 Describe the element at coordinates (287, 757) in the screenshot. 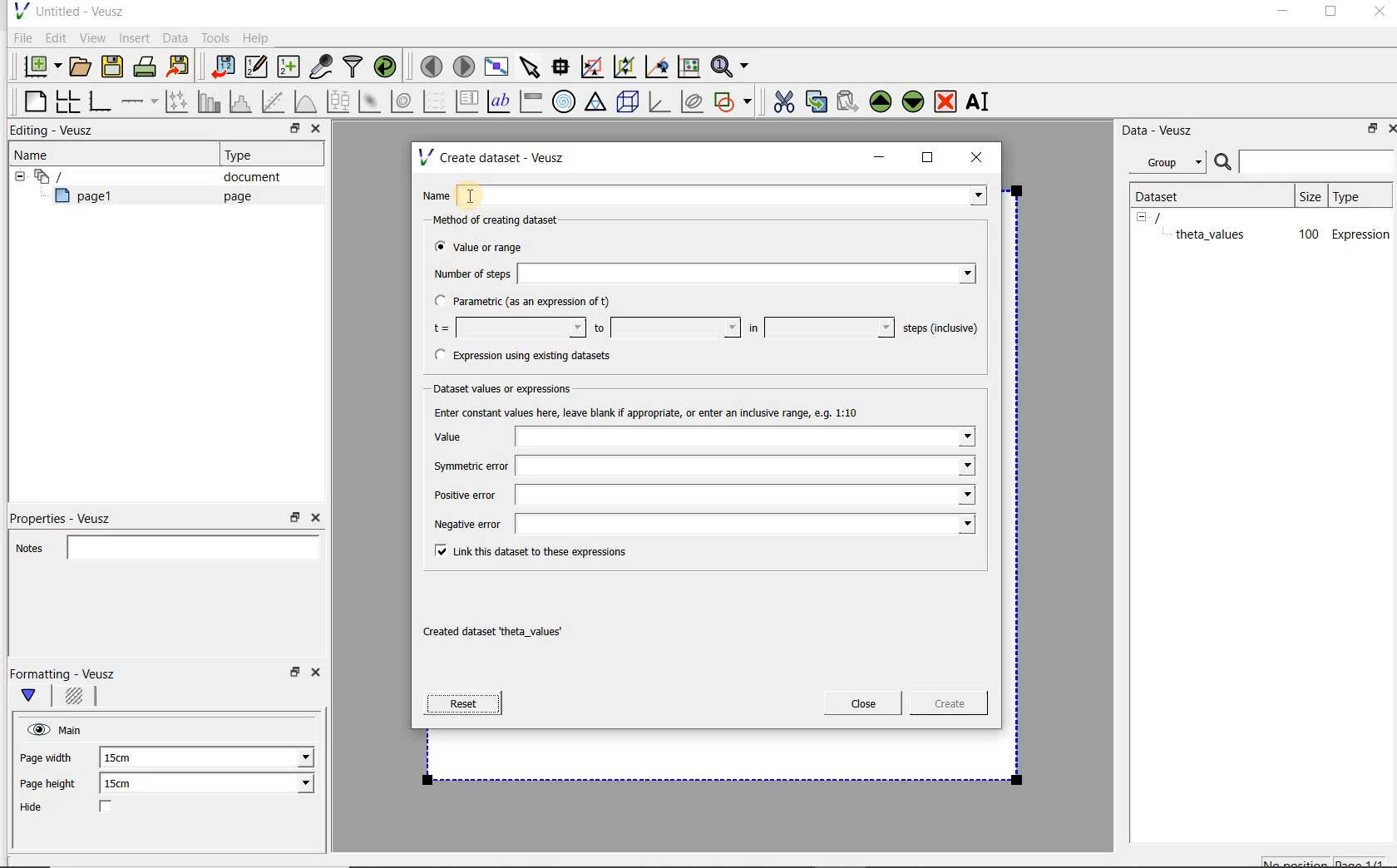

I see `Page width dropdown` at that location.